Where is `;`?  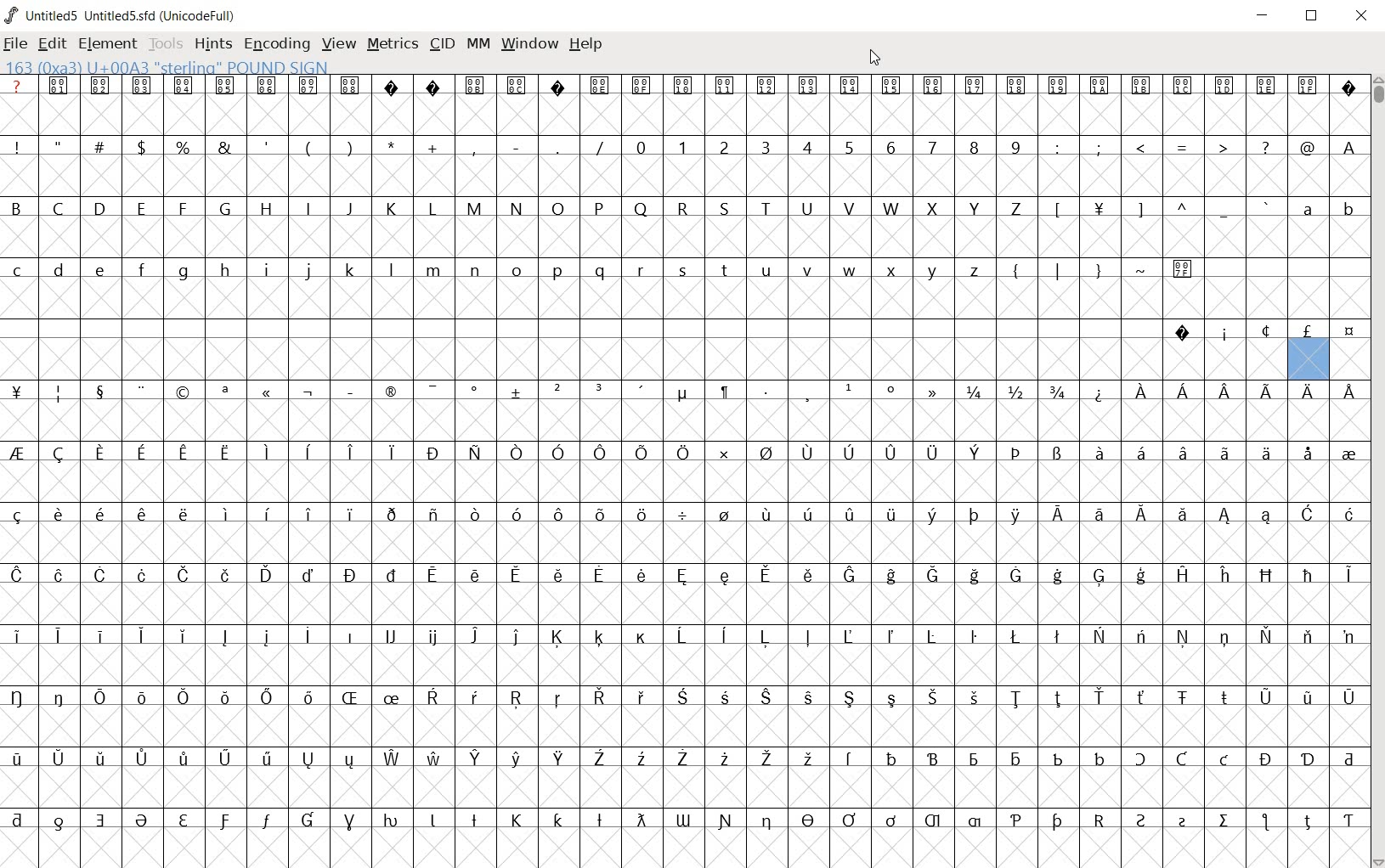
; is located at coordinates (1099, 149).